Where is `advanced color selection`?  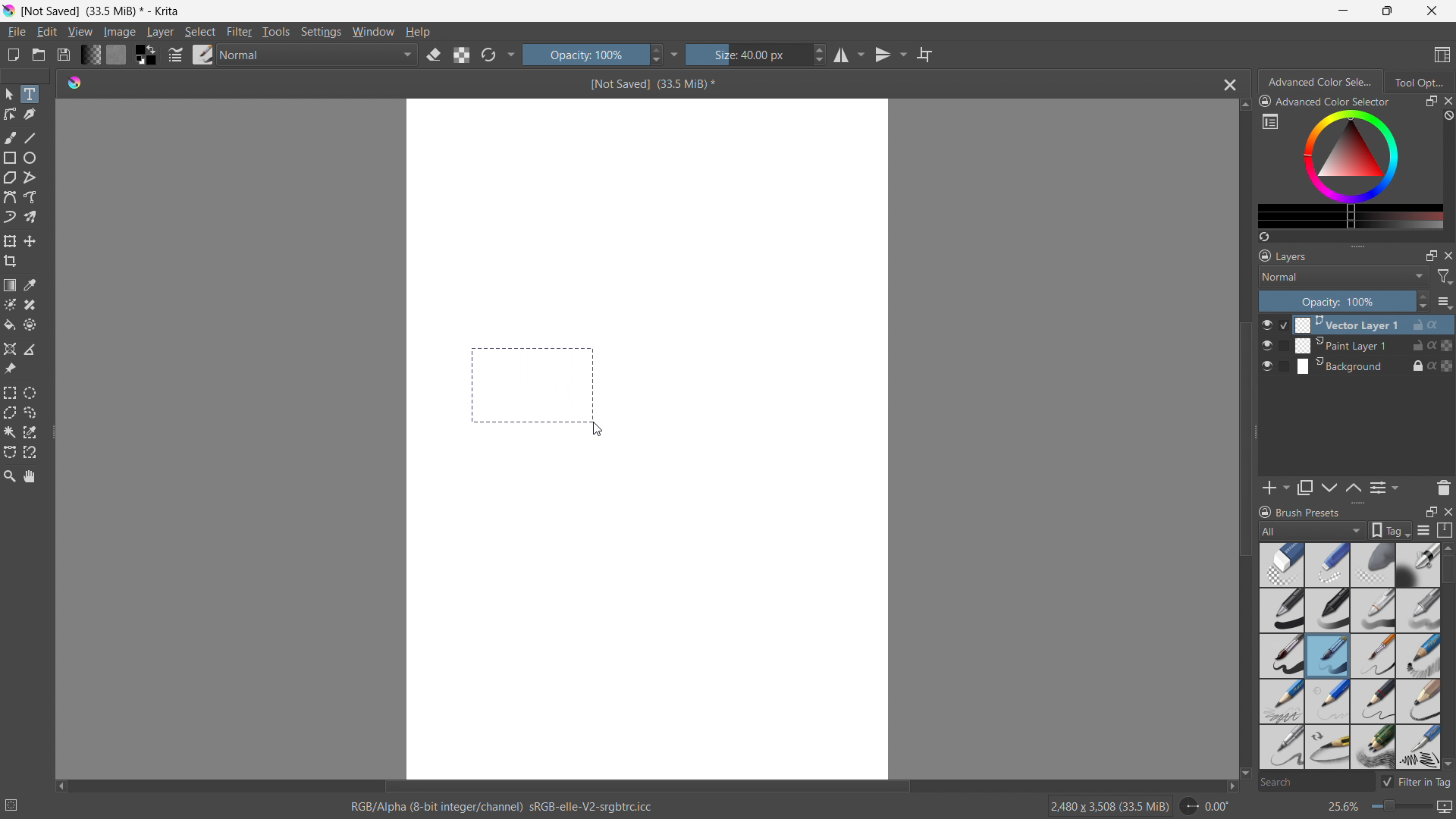 advanced color selection is located at coordinates (1322, 82).